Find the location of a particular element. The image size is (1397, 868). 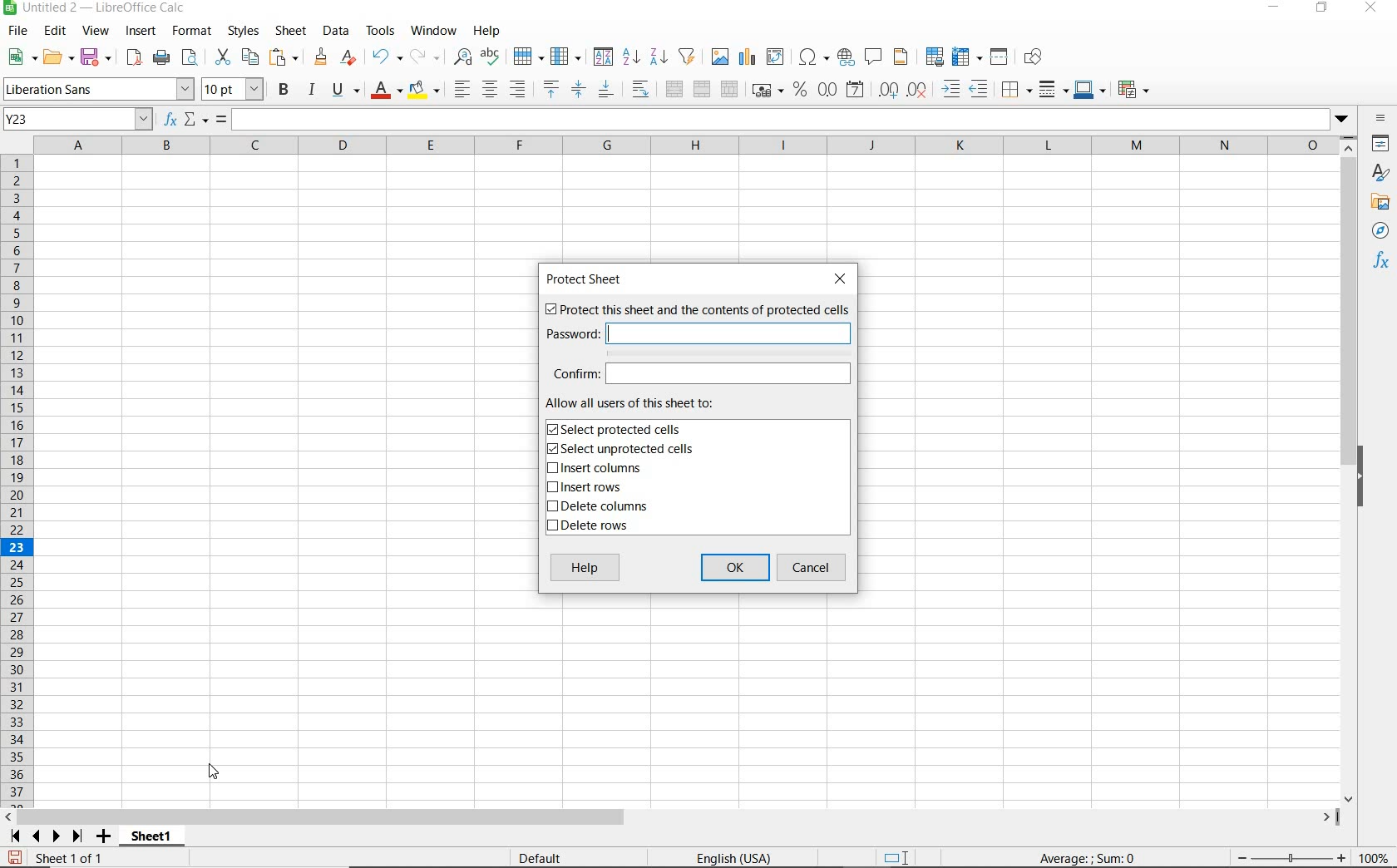

NEW is located at coordinates (18, 57).